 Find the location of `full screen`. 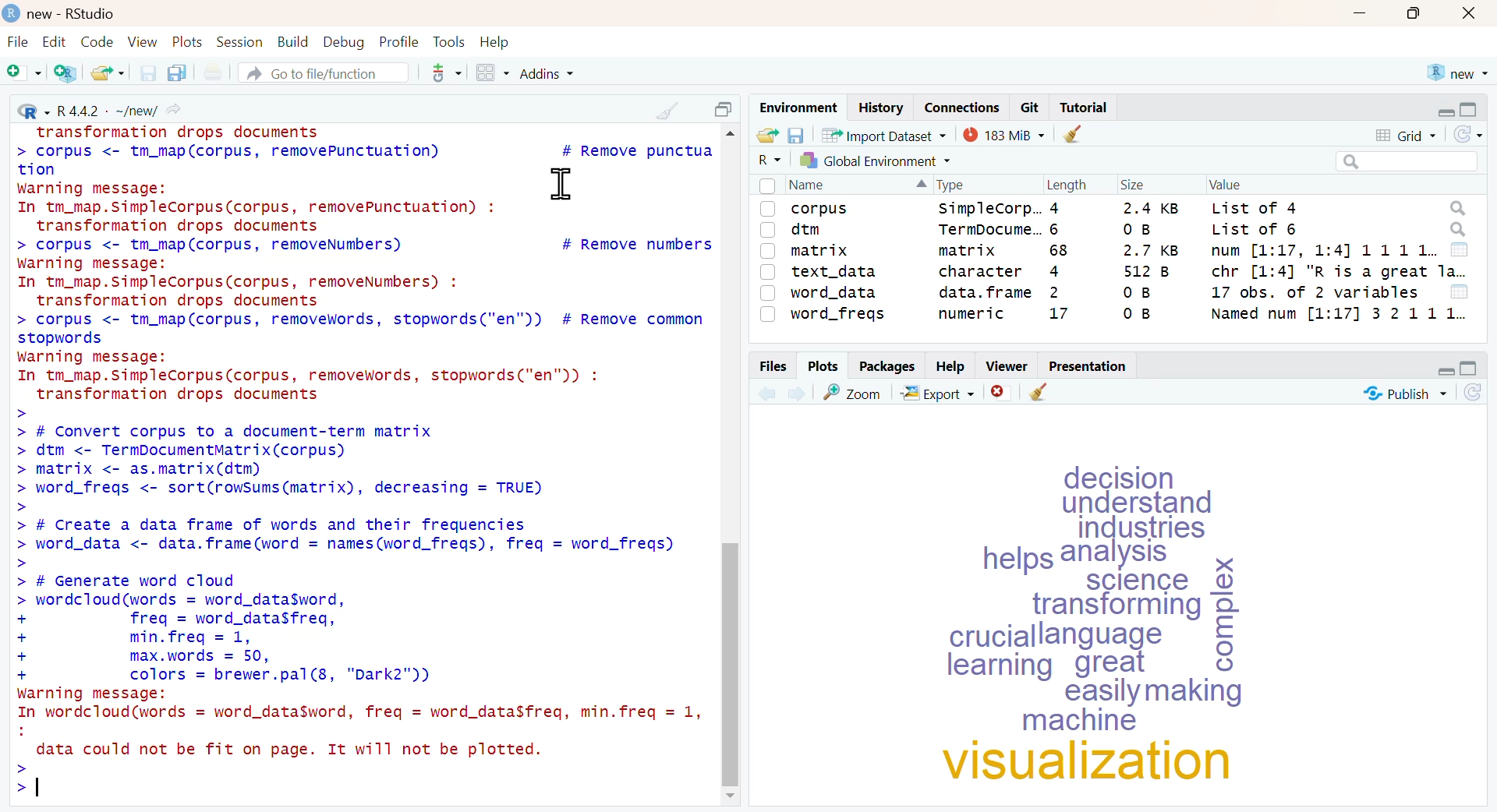

full screen is located at coordinates (1470, 369).